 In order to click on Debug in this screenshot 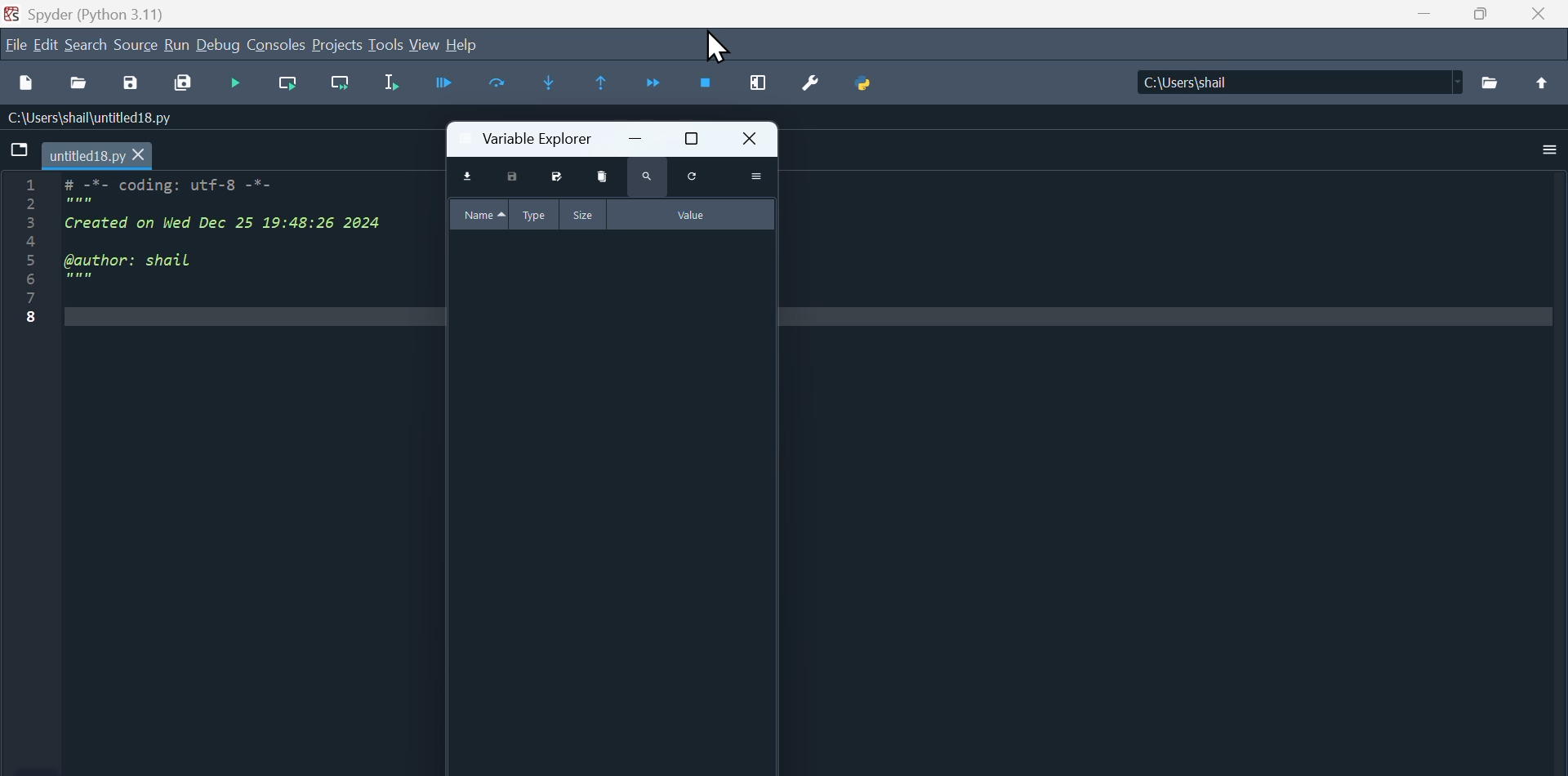, I will do `click(218, 44)`.